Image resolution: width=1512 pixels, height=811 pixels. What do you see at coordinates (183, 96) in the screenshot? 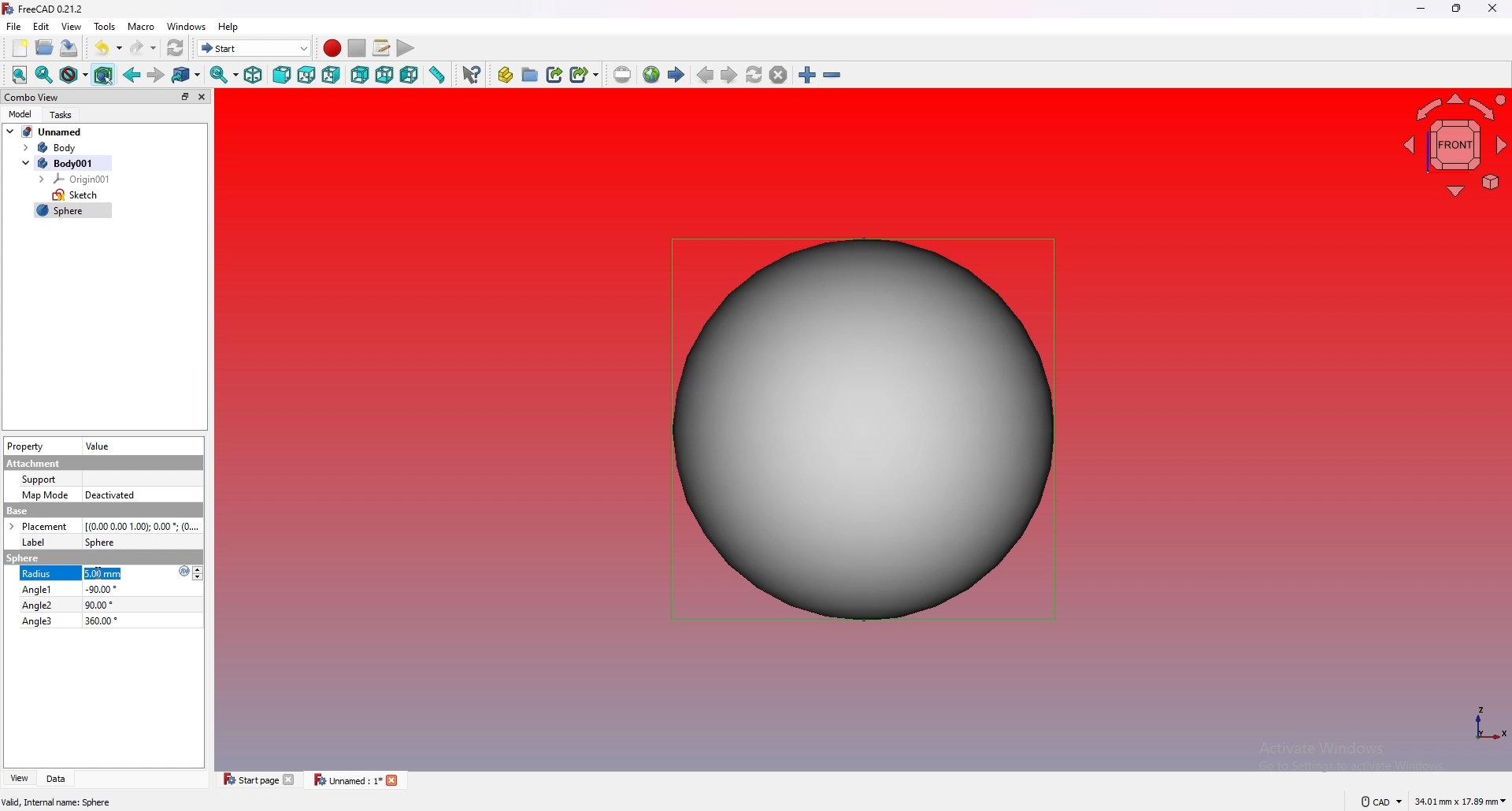
I see `pop out` at bounding box center [183, 96].